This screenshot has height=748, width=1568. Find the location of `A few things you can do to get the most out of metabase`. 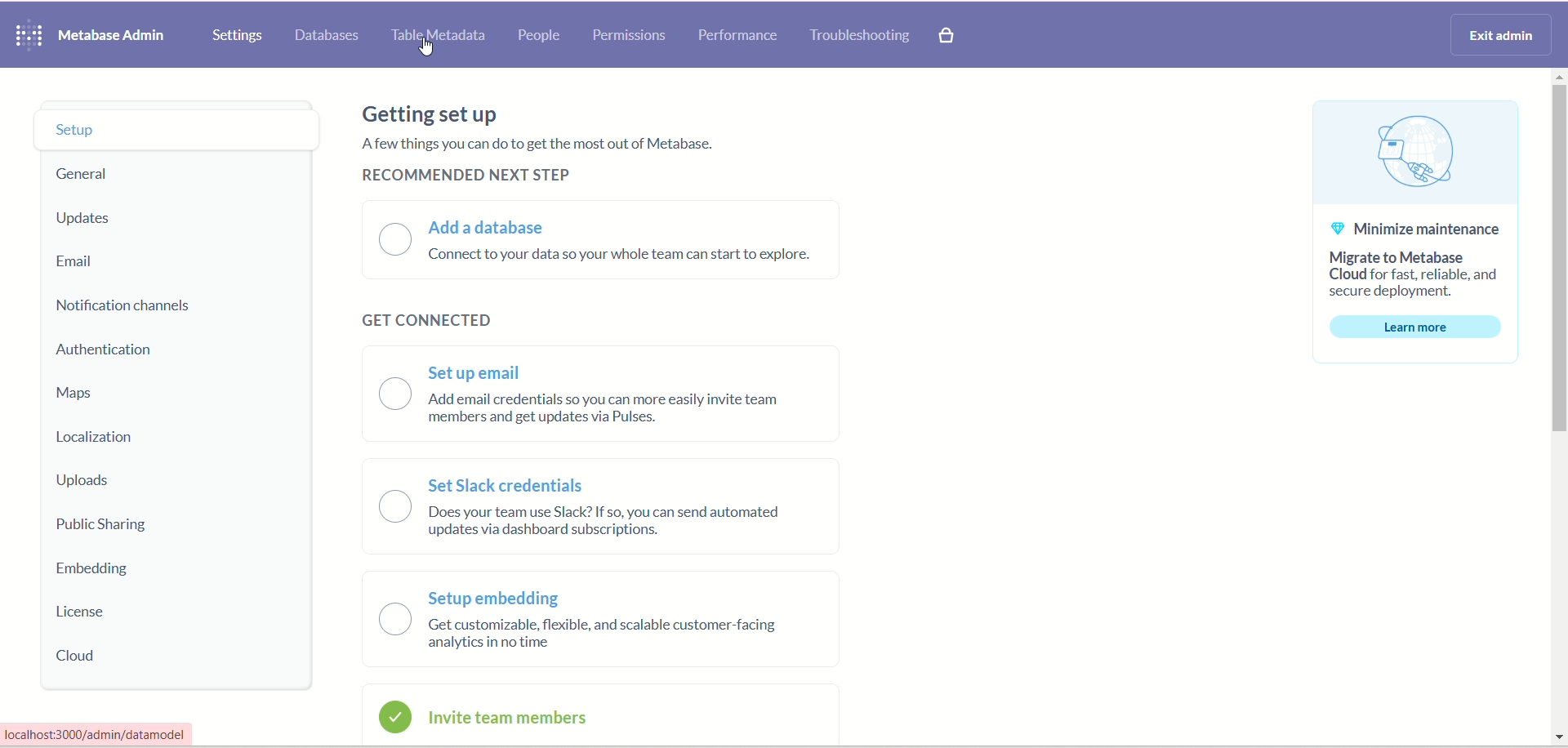

A few things you can do to get the most out of metabase is located at coordinates (540, 143).